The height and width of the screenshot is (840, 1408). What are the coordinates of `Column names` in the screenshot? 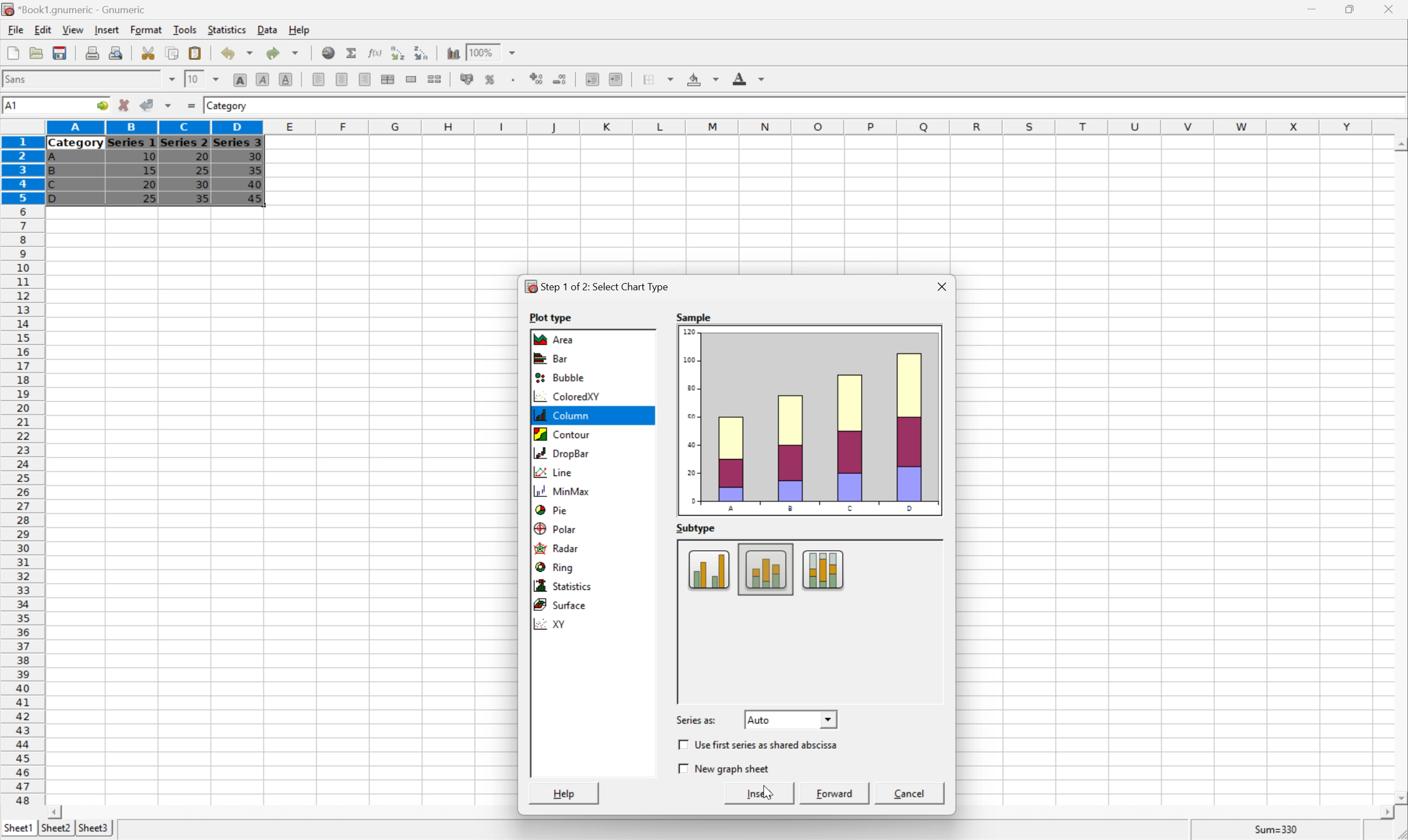 It's located at (713, 128).